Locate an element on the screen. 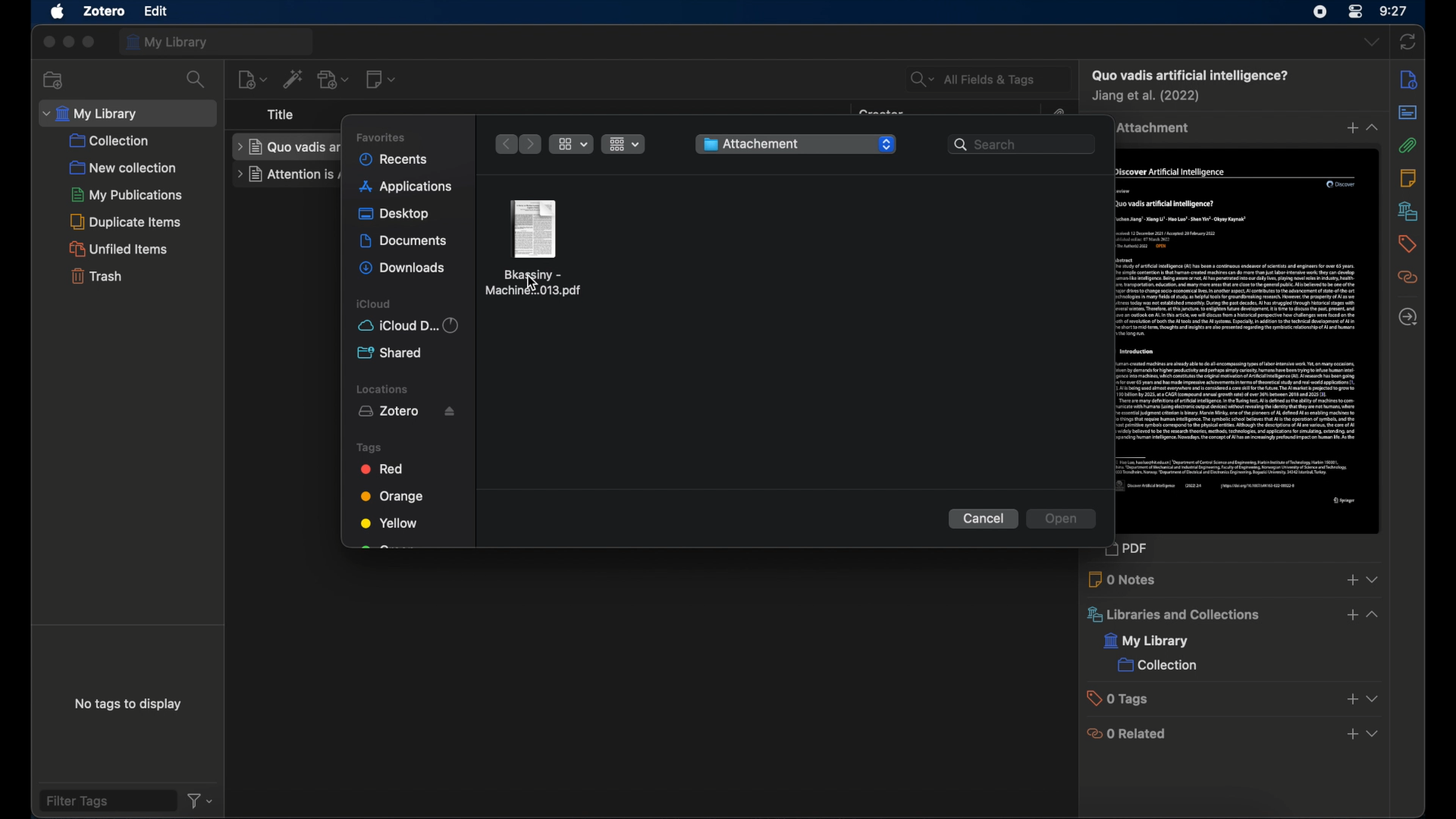 Image resolution: width=1456 pixels, height=819 pixels. new collection is located at coordinates (52, 79).